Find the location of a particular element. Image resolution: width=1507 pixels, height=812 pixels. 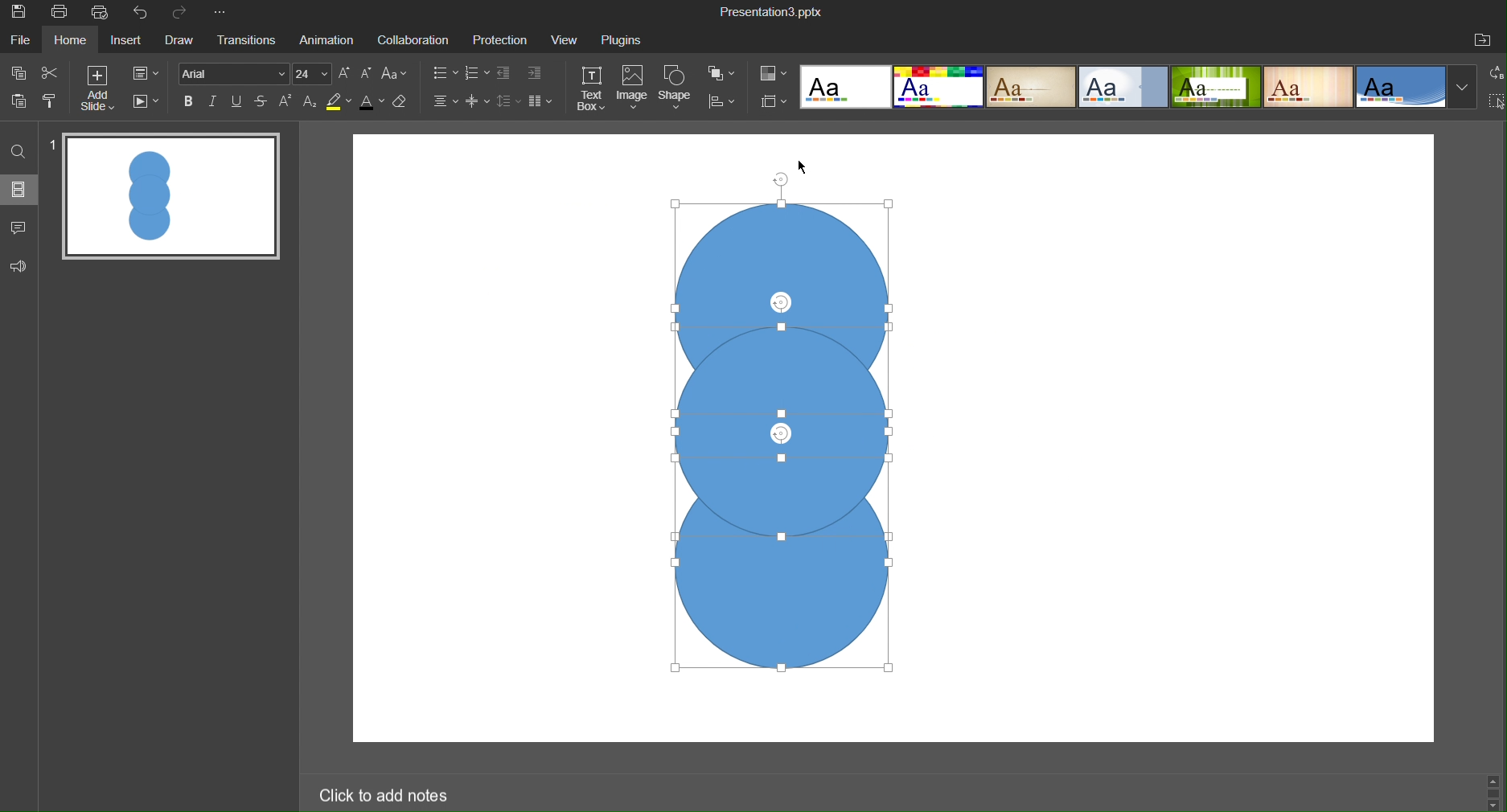

Templates is located at coordinates (1138, 90).